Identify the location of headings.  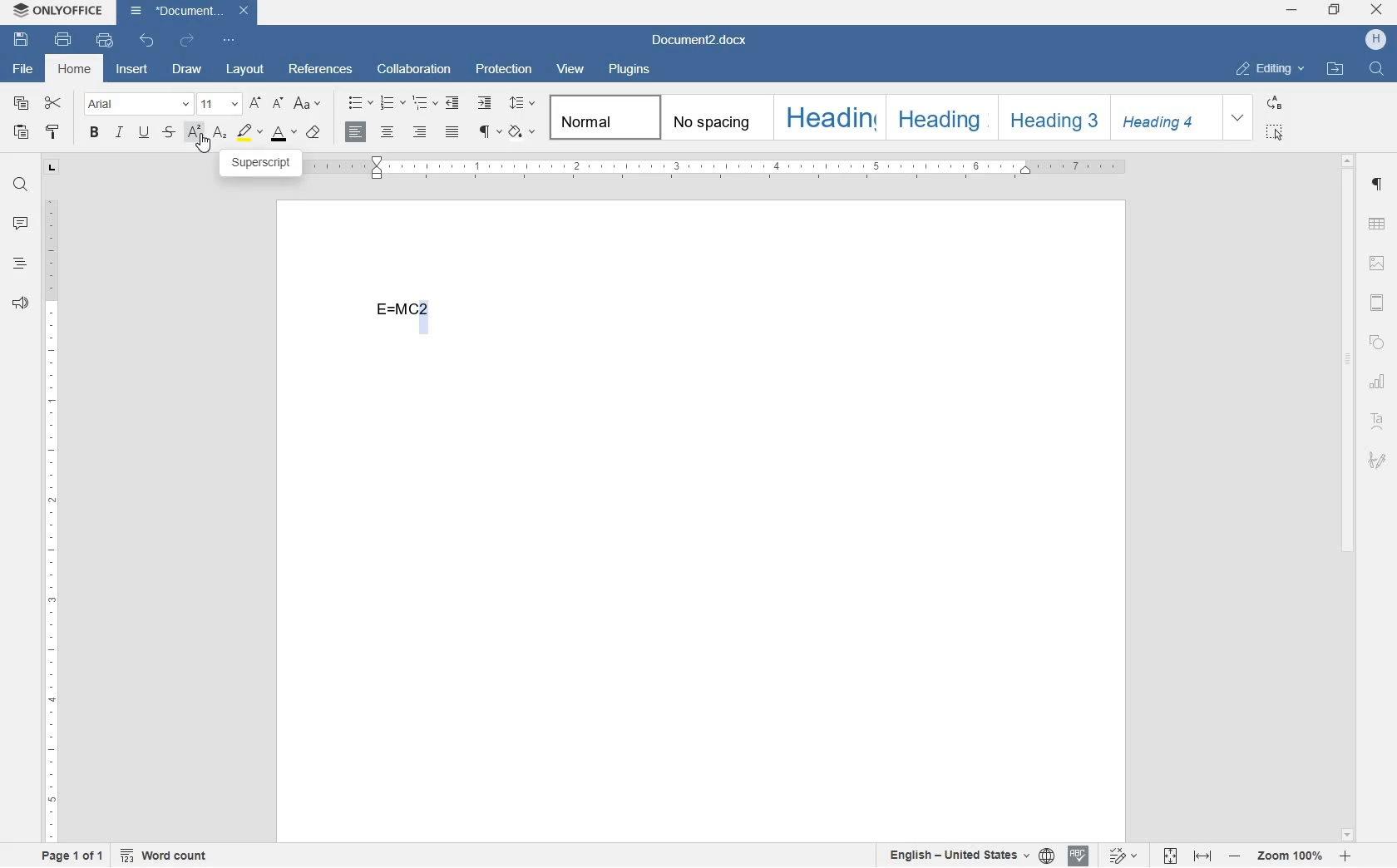
(19, 264).